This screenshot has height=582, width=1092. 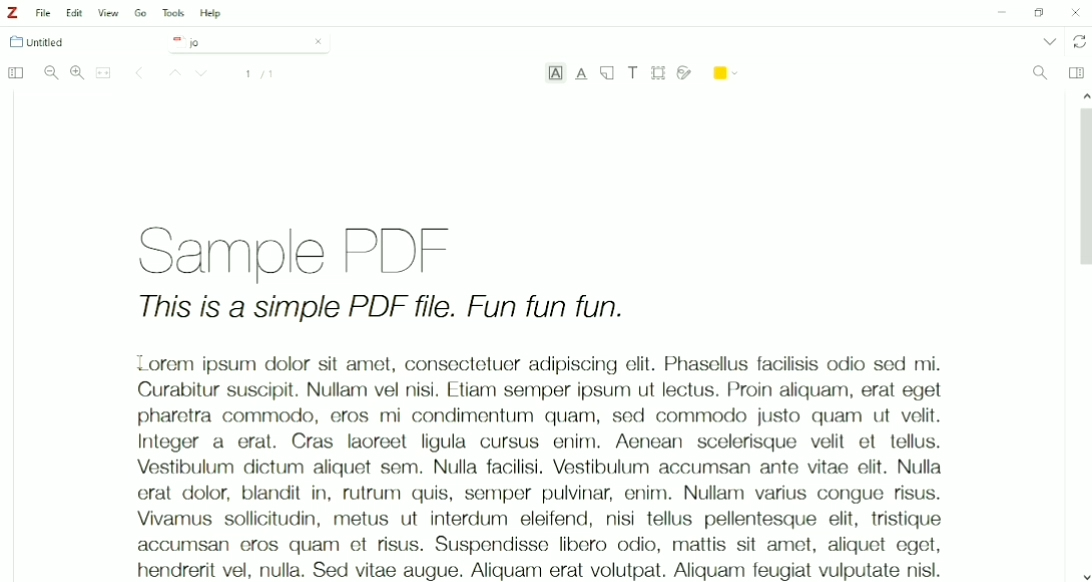 I want to click on Close, so click(x=318, y=41).